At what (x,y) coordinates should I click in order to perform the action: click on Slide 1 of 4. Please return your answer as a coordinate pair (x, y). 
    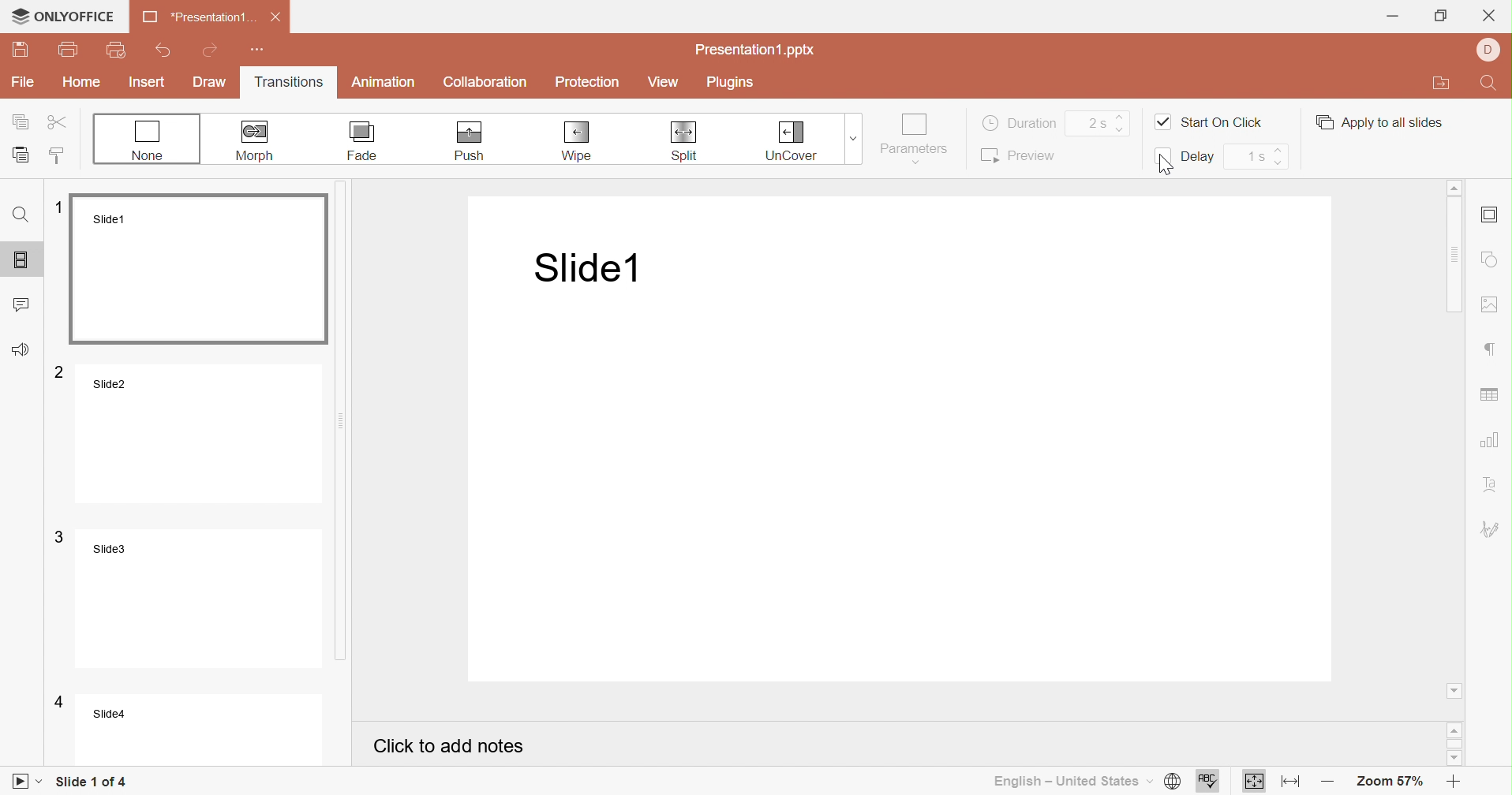
    Looking at the image, I should click on (93, 781).